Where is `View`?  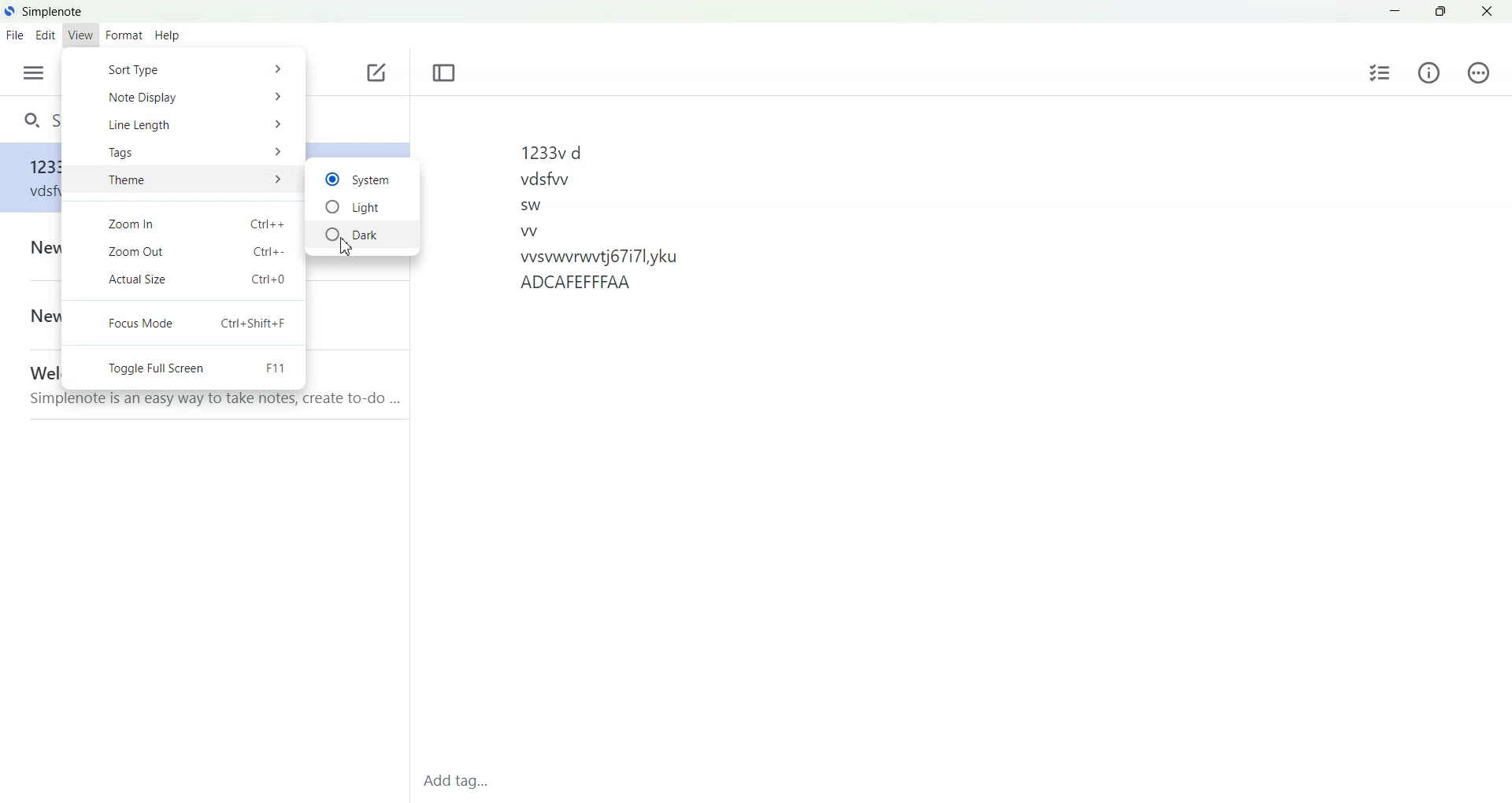 View is located at coordinates (80, 35).